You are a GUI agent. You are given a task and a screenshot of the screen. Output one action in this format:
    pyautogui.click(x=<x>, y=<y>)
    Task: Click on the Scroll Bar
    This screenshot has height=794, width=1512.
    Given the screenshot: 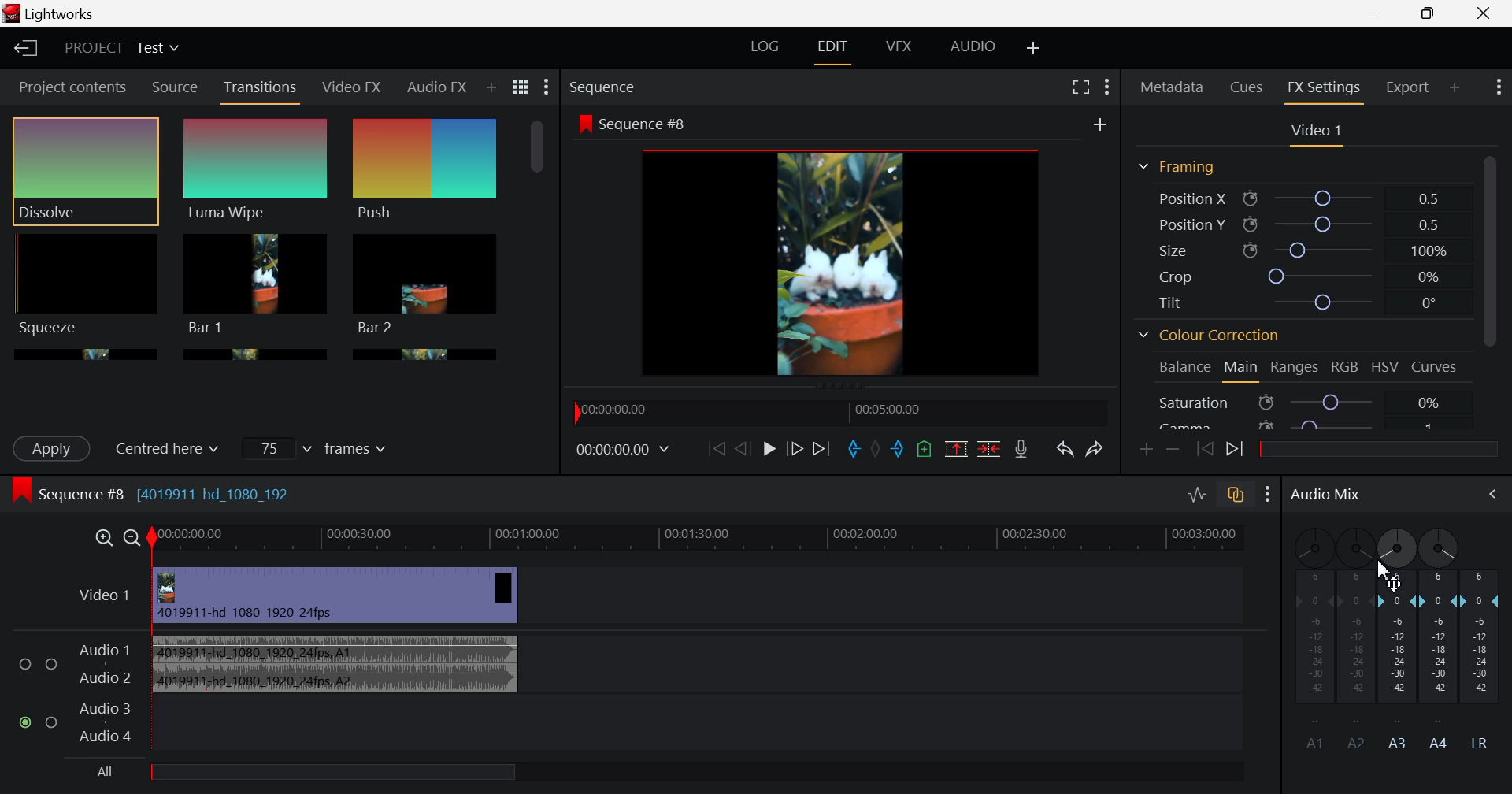 What is the action you would take?
    pyautogui.click(x=537, y=232)
    